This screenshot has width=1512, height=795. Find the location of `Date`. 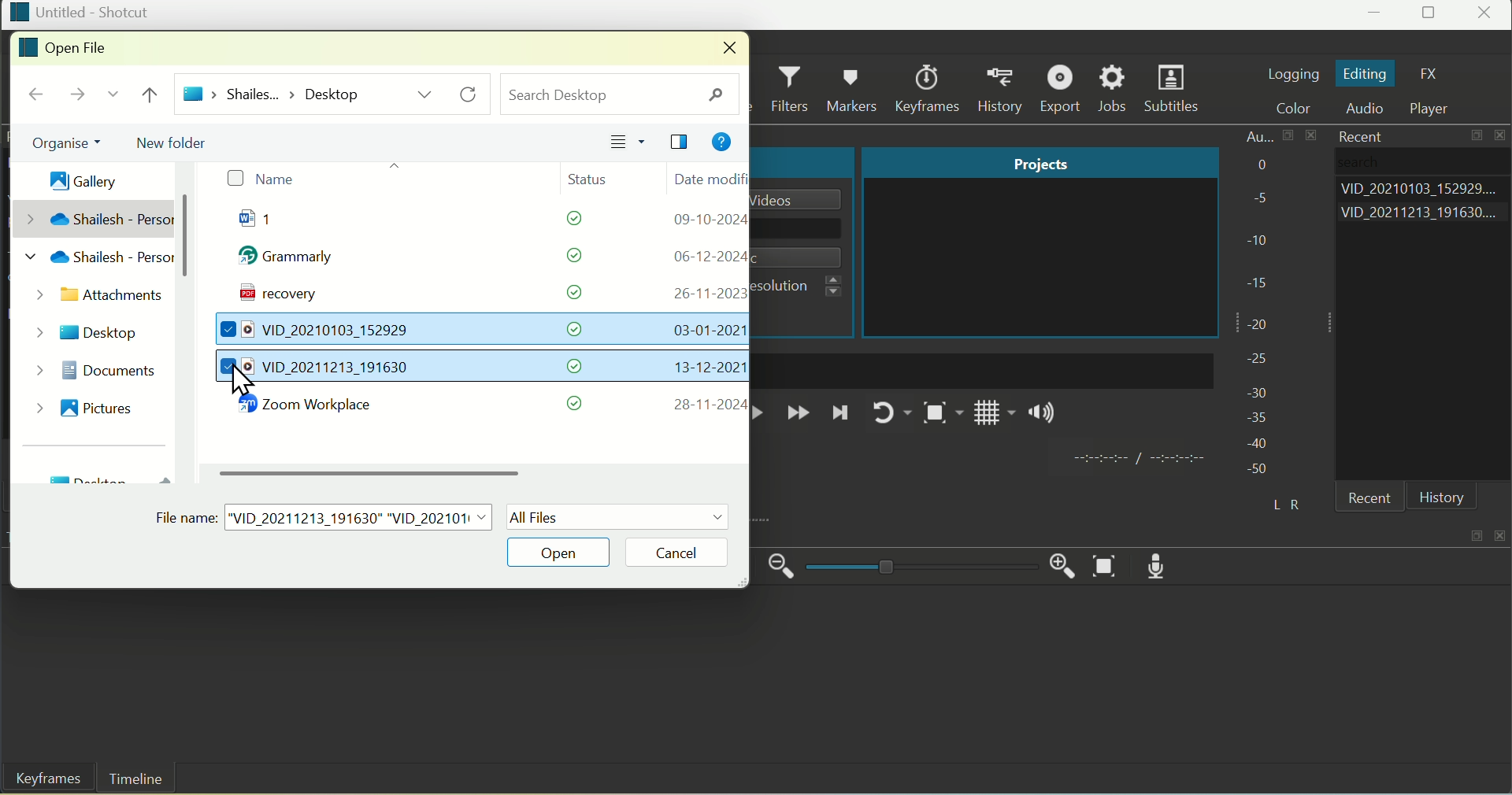

Date is located at coordinates (708, 179).